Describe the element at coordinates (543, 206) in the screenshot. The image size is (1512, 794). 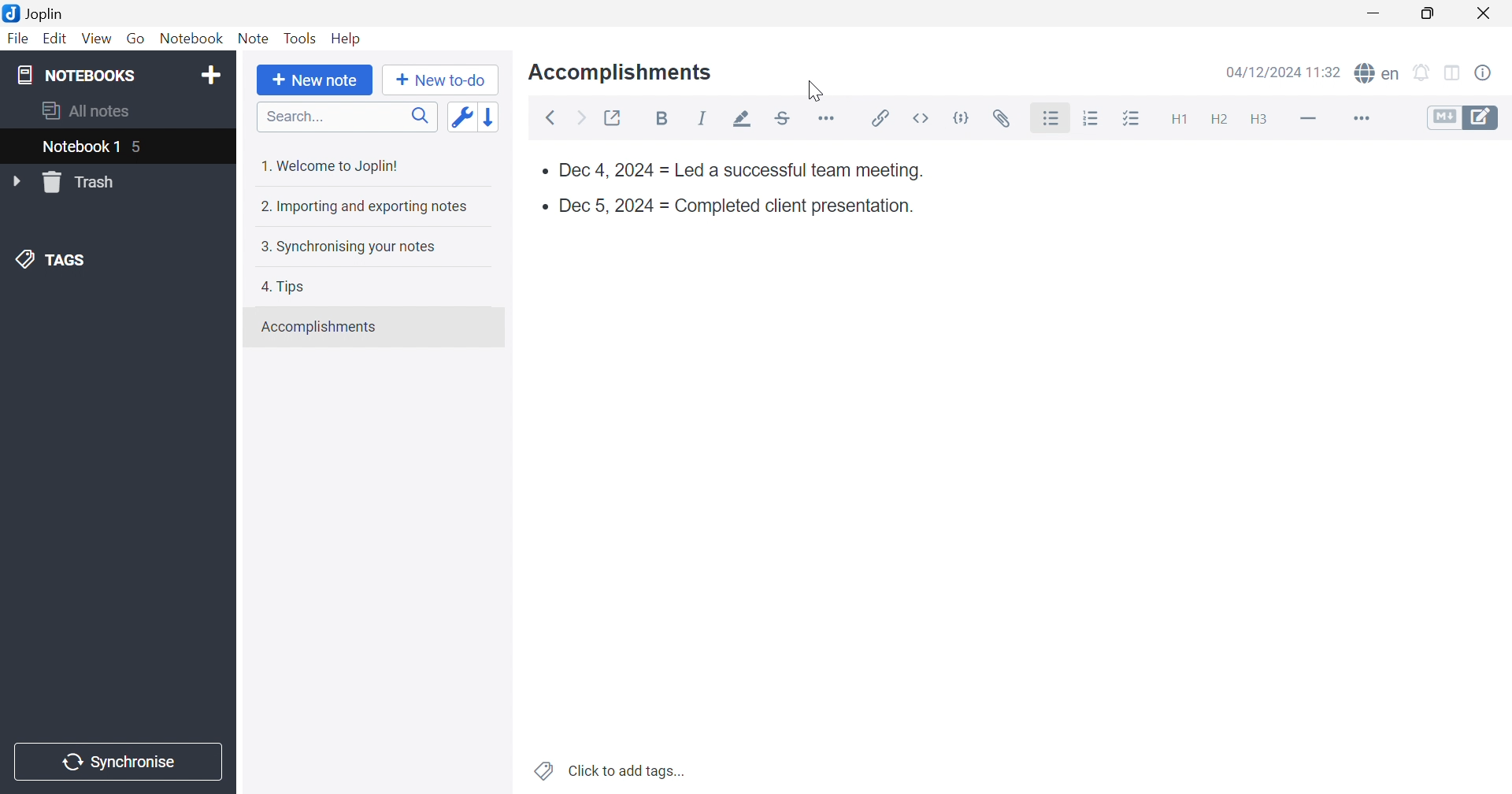
I see `Bullet point` at that location.